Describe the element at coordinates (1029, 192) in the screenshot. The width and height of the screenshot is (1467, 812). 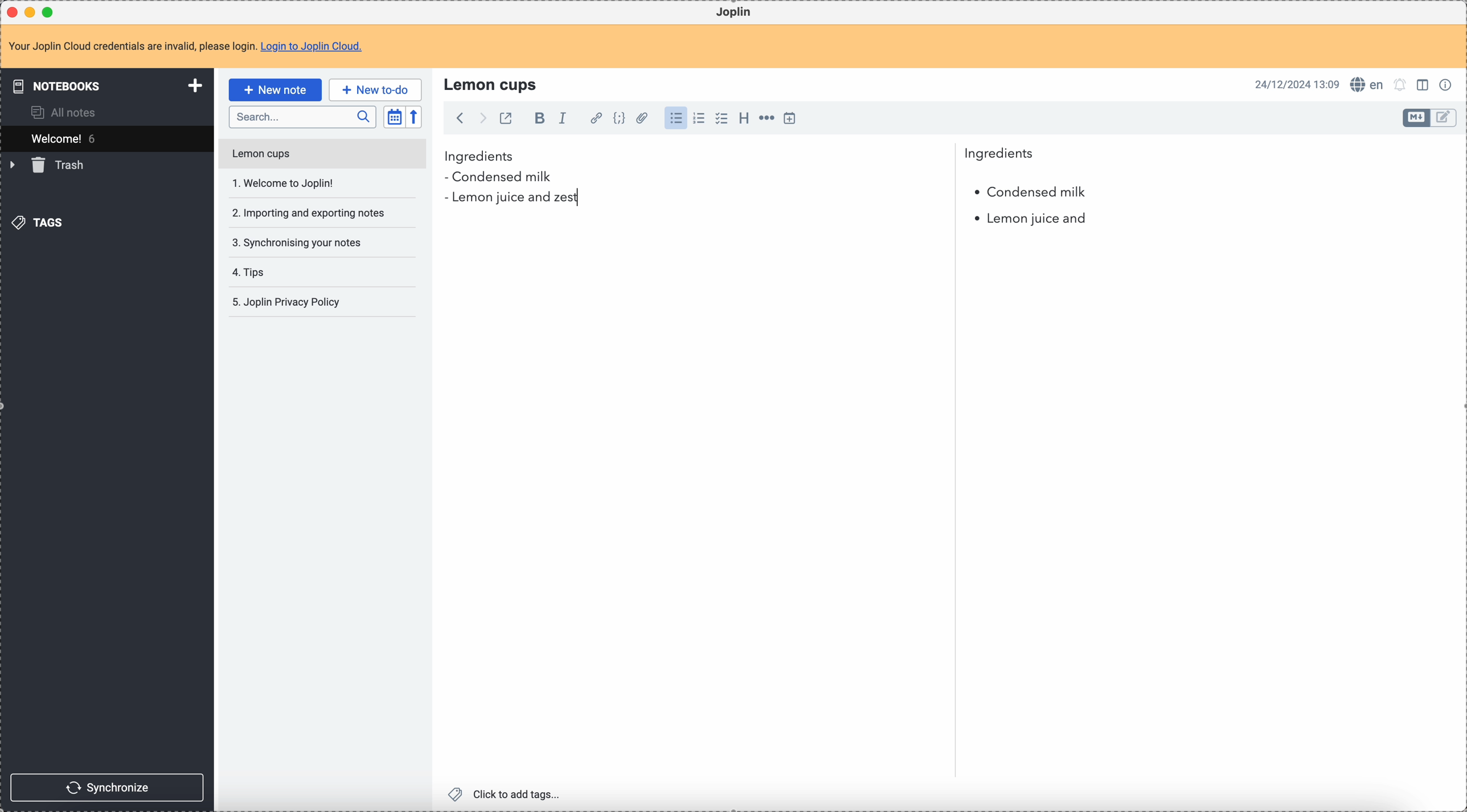
I see `condensed milk` at that location.